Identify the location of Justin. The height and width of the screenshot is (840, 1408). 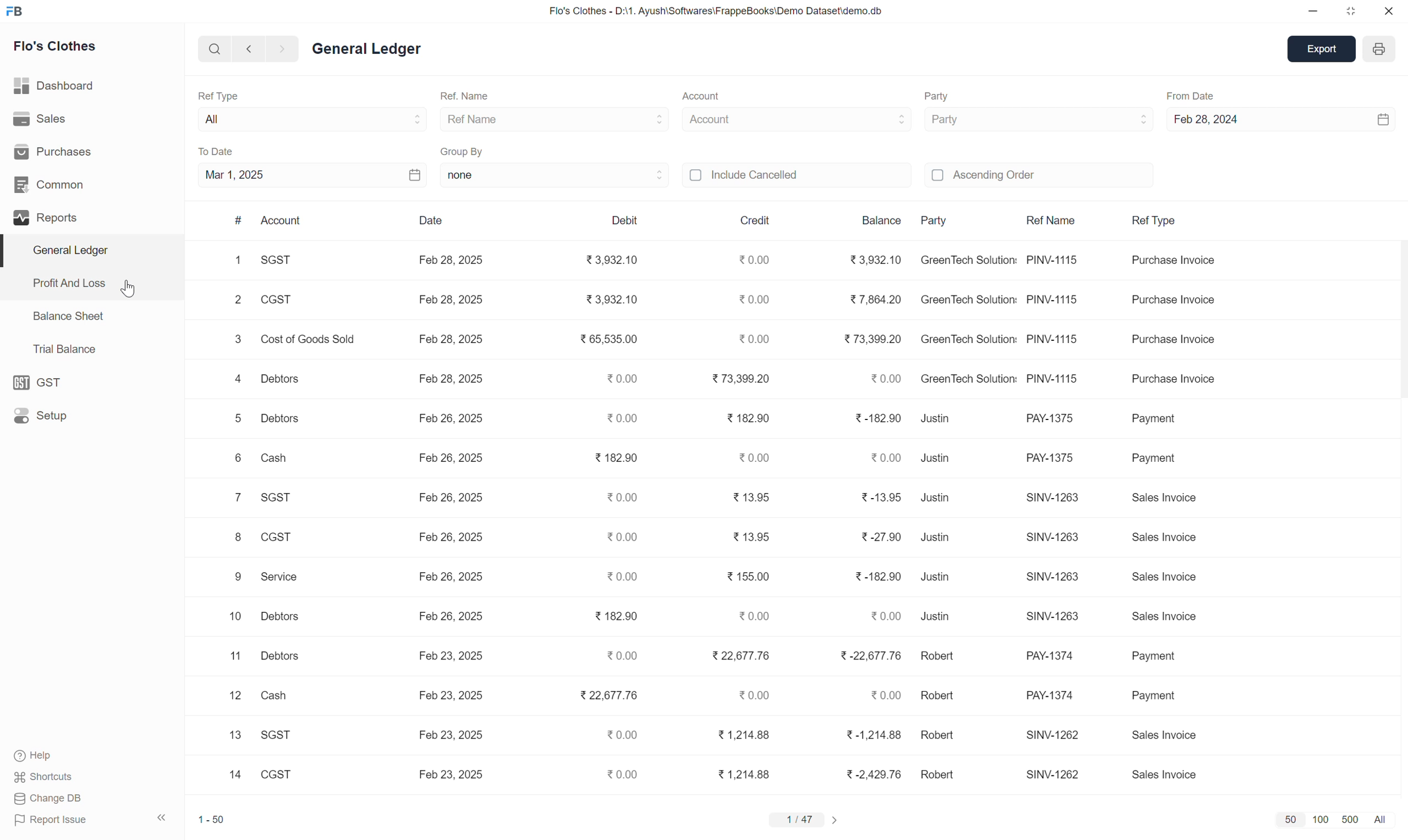
(936, 538).